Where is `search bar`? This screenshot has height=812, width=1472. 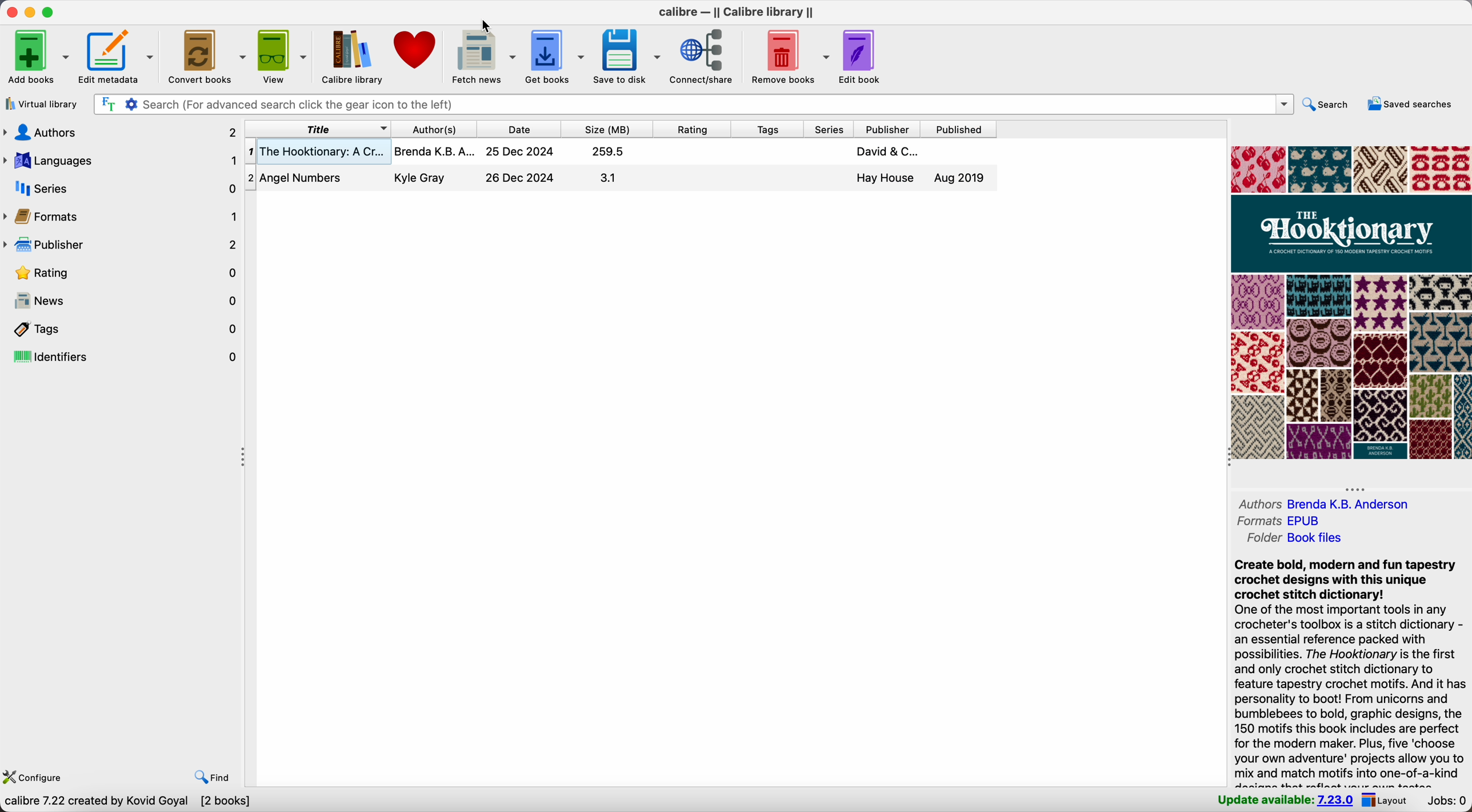
search bar is located at coordinates (691, 103).